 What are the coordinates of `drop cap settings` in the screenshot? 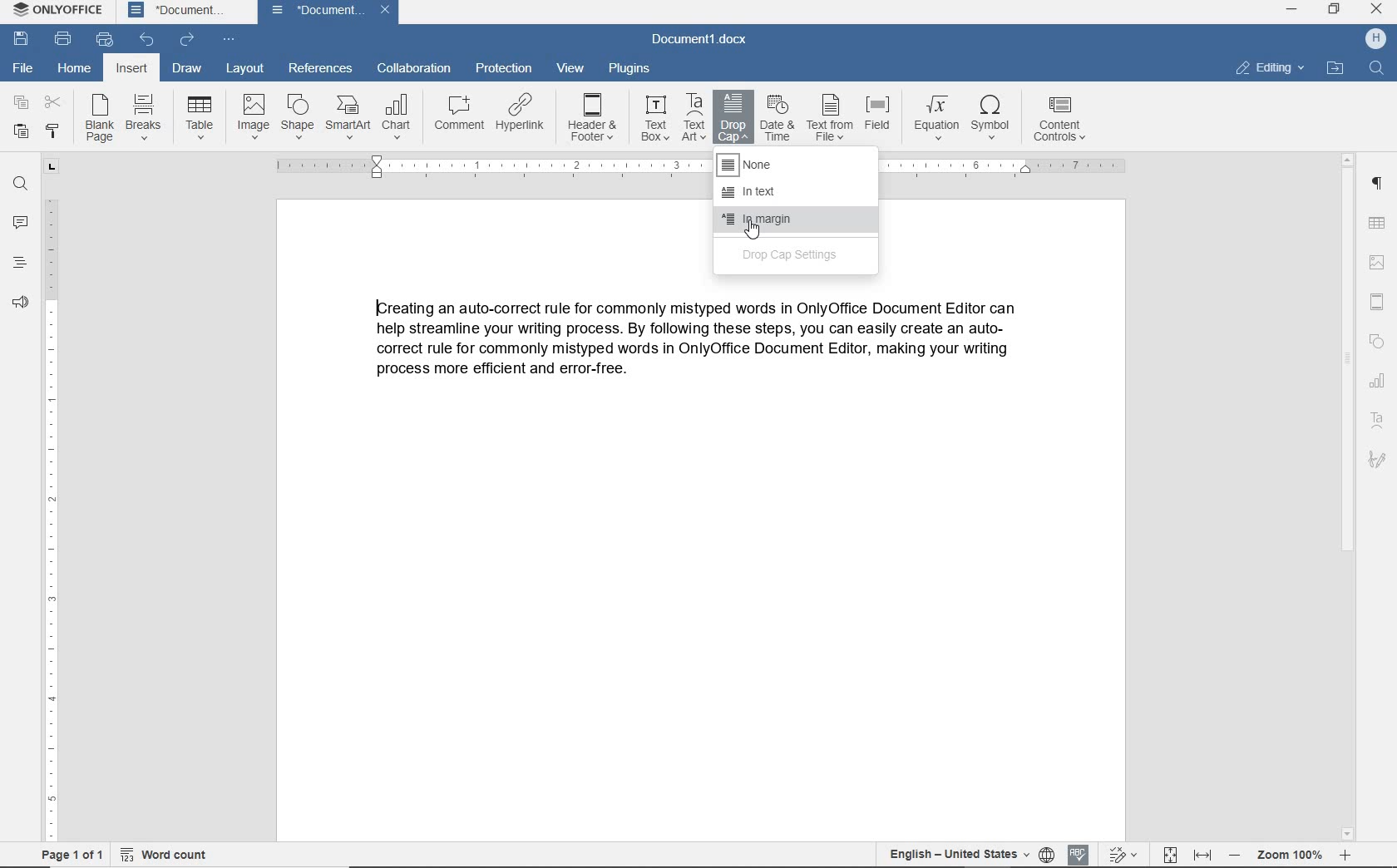 It's located at (796, 254).